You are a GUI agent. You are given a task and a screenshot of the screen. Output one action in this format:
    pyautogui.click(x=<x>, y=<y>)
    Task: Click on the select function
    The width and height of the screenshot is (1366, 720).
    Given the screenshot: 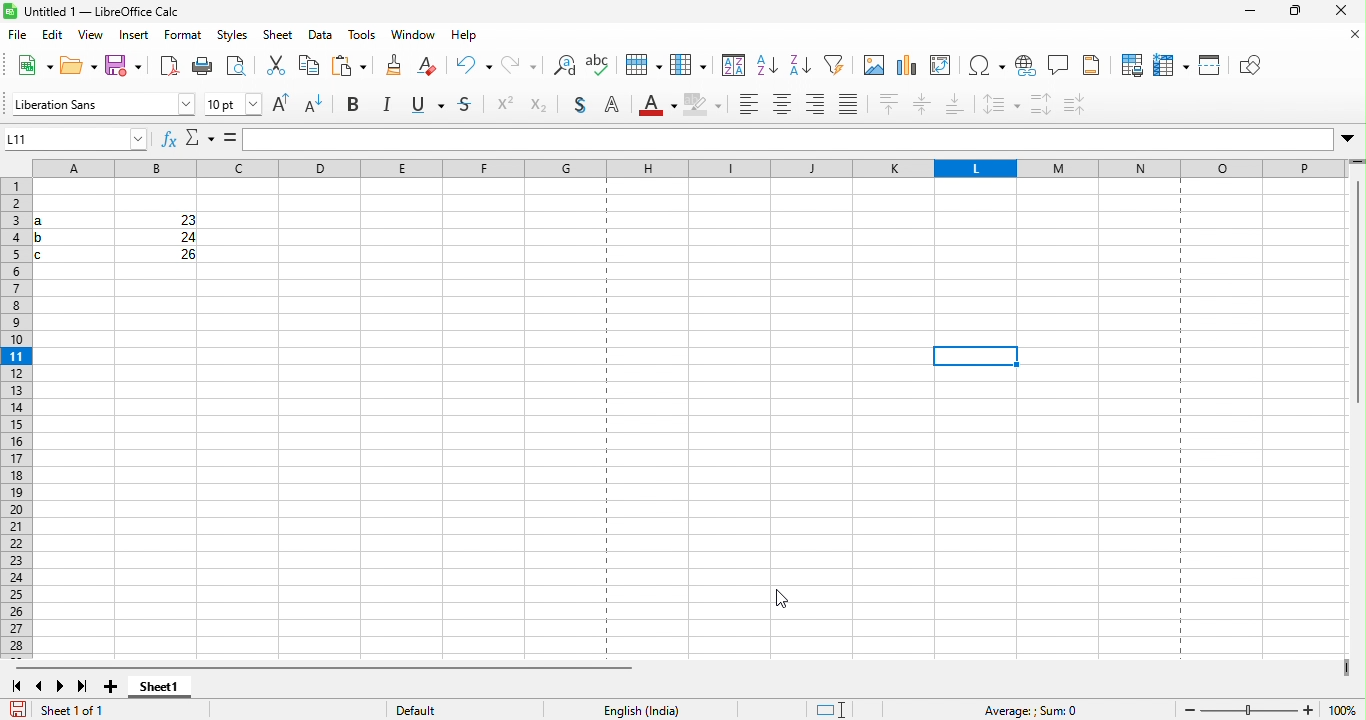 What is the action you would take?
    pyautogui.click(x=201, y=141)
    